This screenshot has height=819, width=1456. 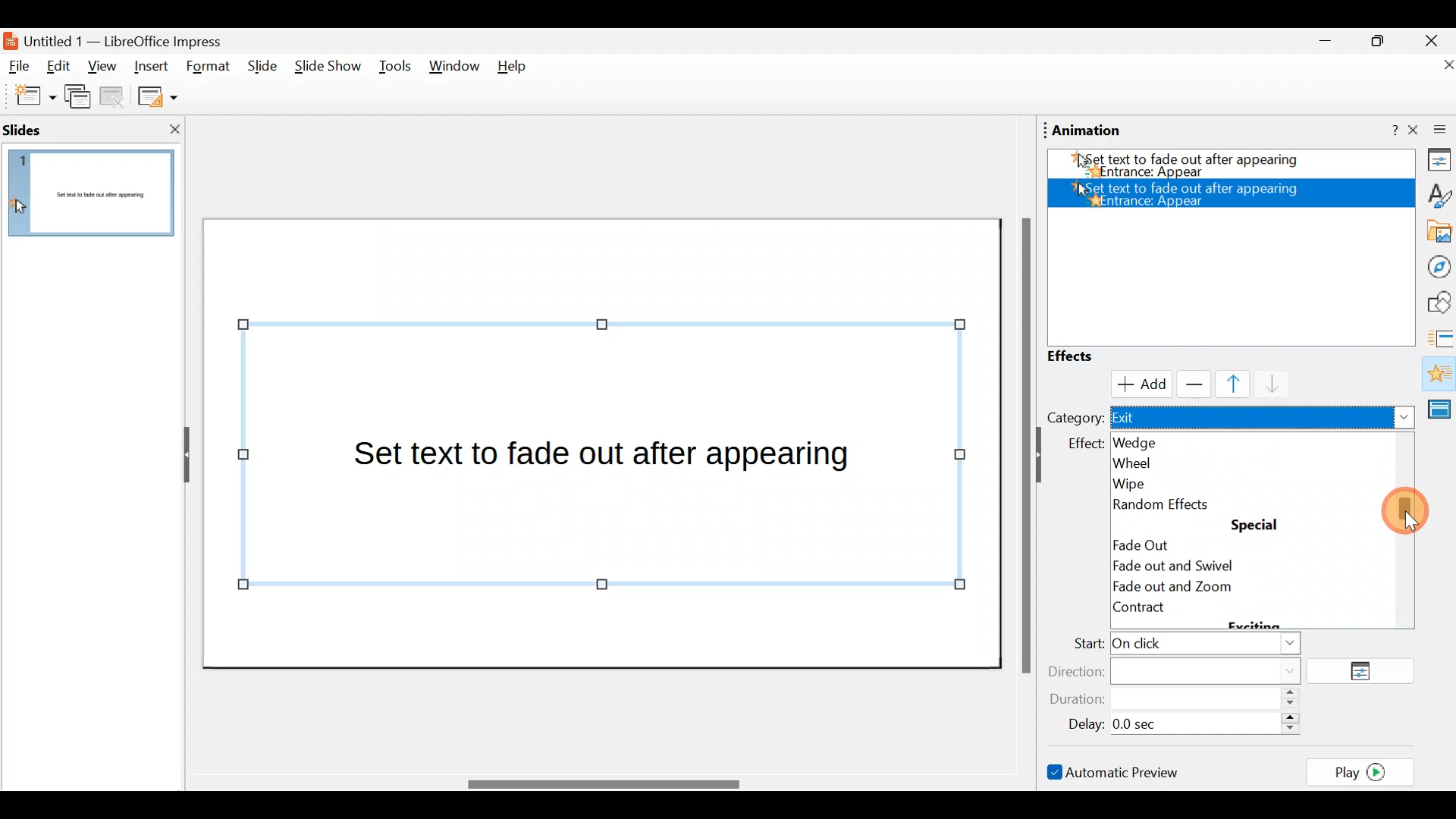 I want to click on Format, so click(x=209, y=67).